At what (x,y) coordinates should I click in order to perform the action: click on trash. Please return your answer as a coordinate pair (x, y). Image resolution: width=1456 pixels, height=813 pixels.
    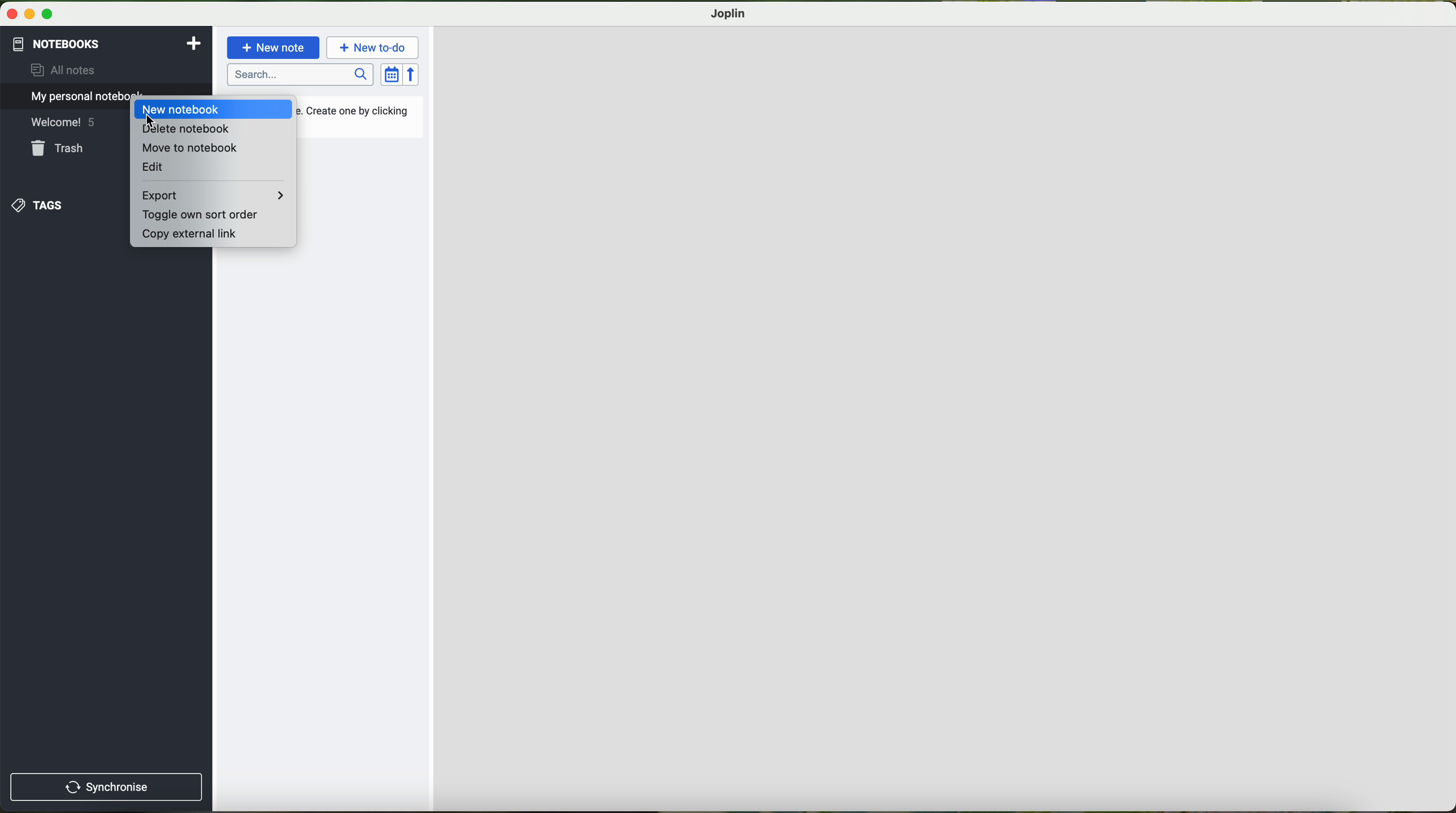
    Looking at the image, I should click on (58, 150).